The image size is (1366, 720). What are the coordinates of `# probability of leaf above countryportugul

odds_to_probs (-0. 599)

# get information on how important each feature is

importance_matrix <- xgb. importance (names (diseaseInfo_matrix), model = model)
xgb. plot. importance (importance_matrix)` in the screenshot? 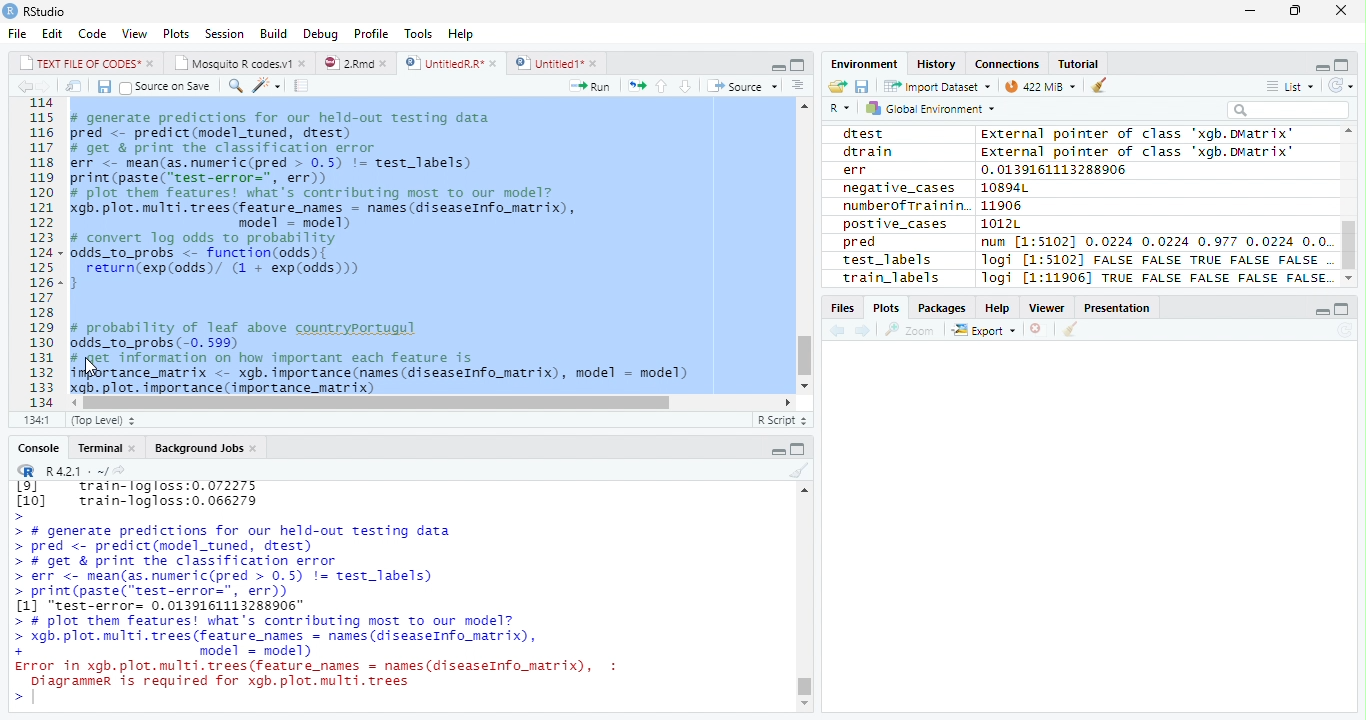 It's located at (388, 355).